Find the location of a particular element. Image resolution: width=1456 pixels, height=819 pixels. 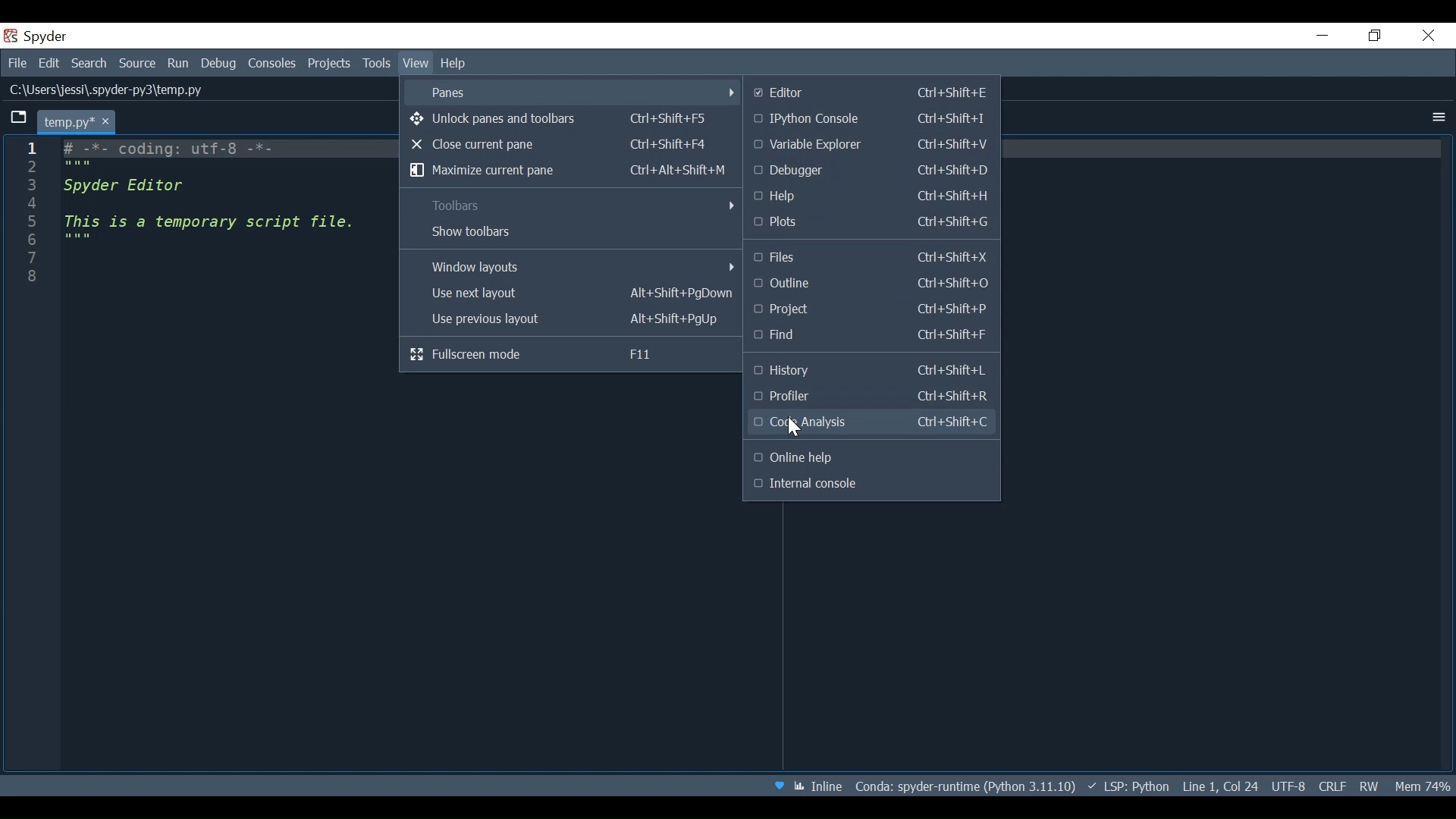

Code Analysis is located at coordinates (870, 424).